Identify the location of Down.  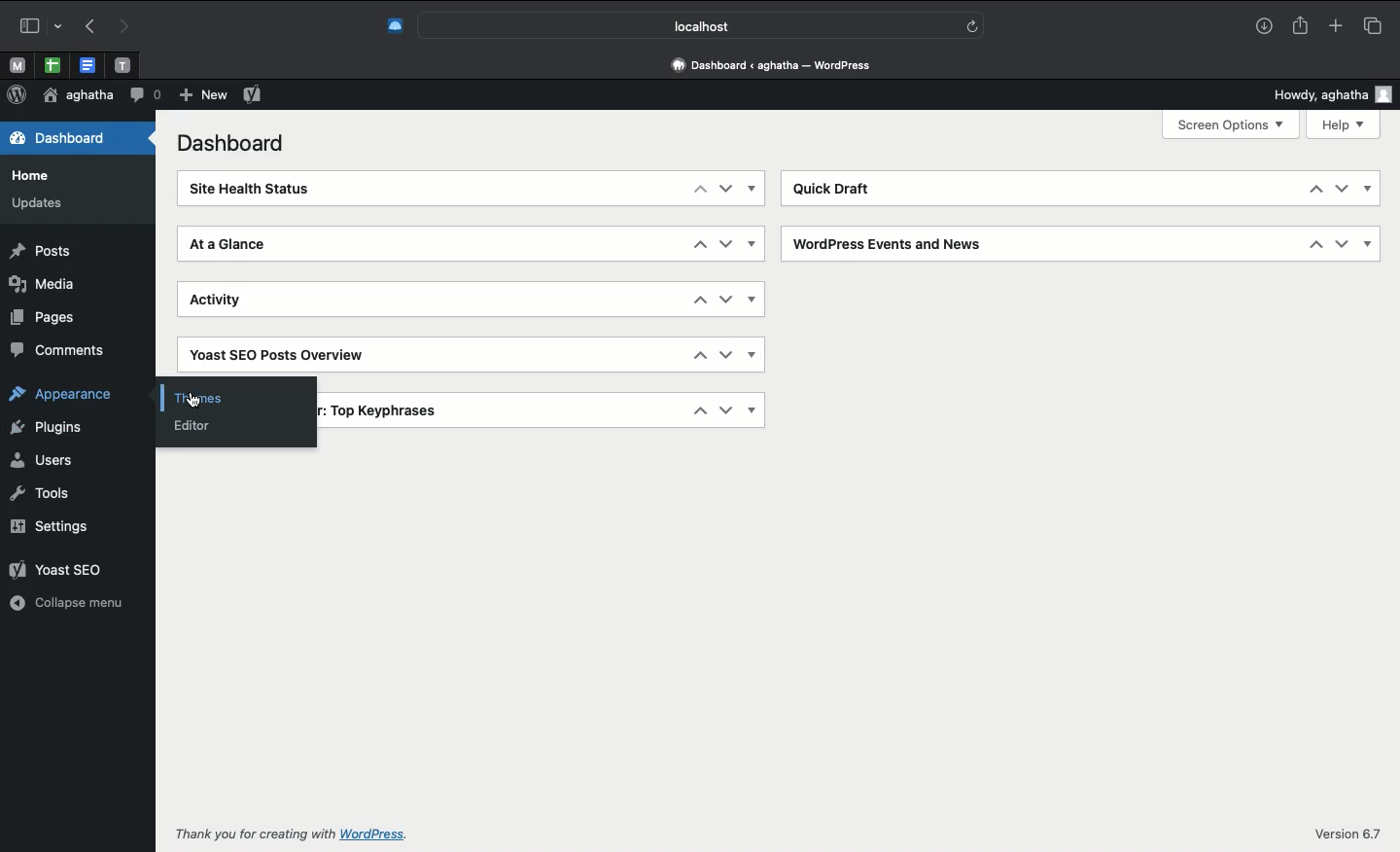
(725, 410).